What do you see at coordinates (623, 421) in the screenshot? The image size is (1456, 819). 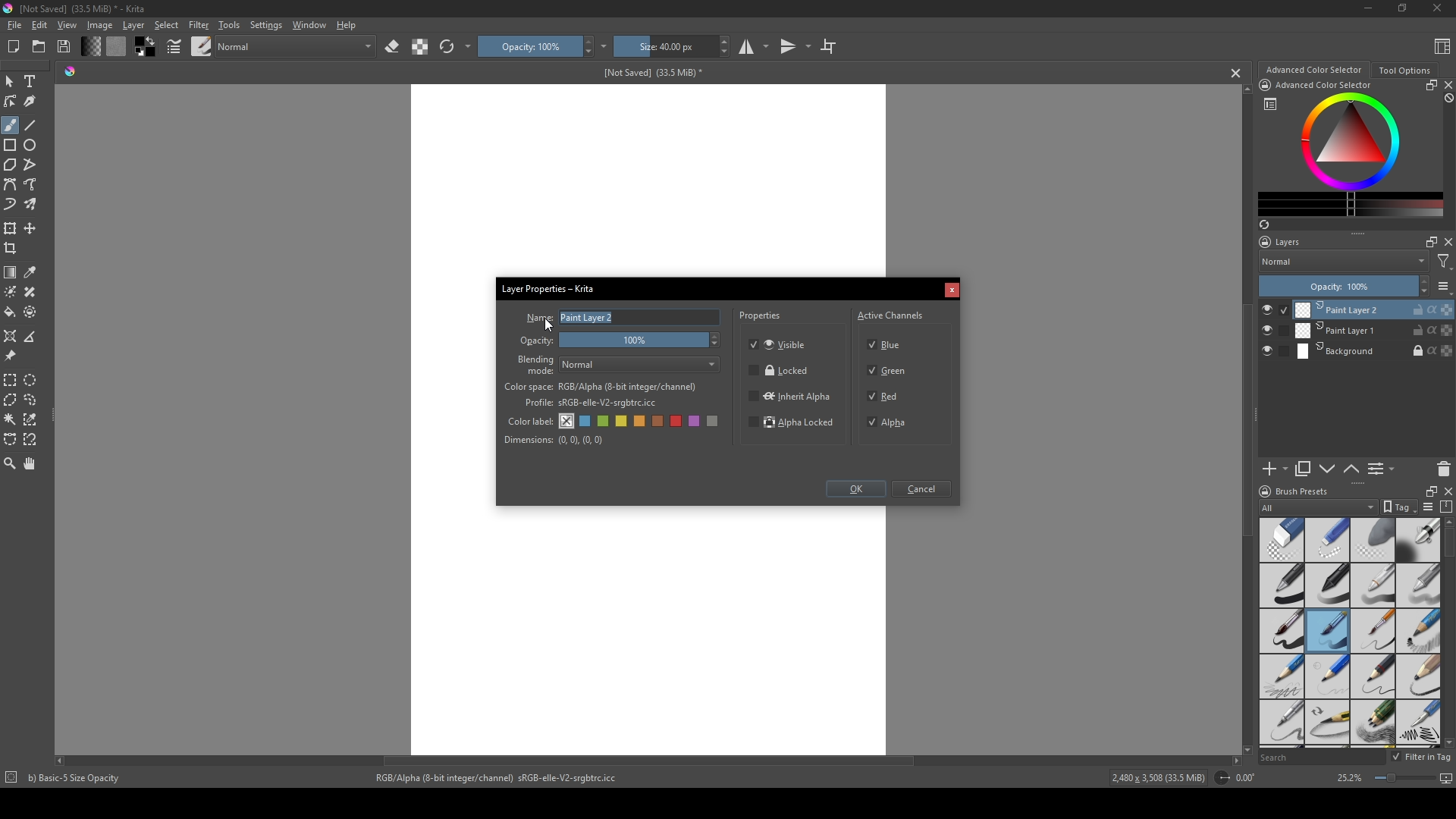 I see `lemon` at bounding box center [623, 421].